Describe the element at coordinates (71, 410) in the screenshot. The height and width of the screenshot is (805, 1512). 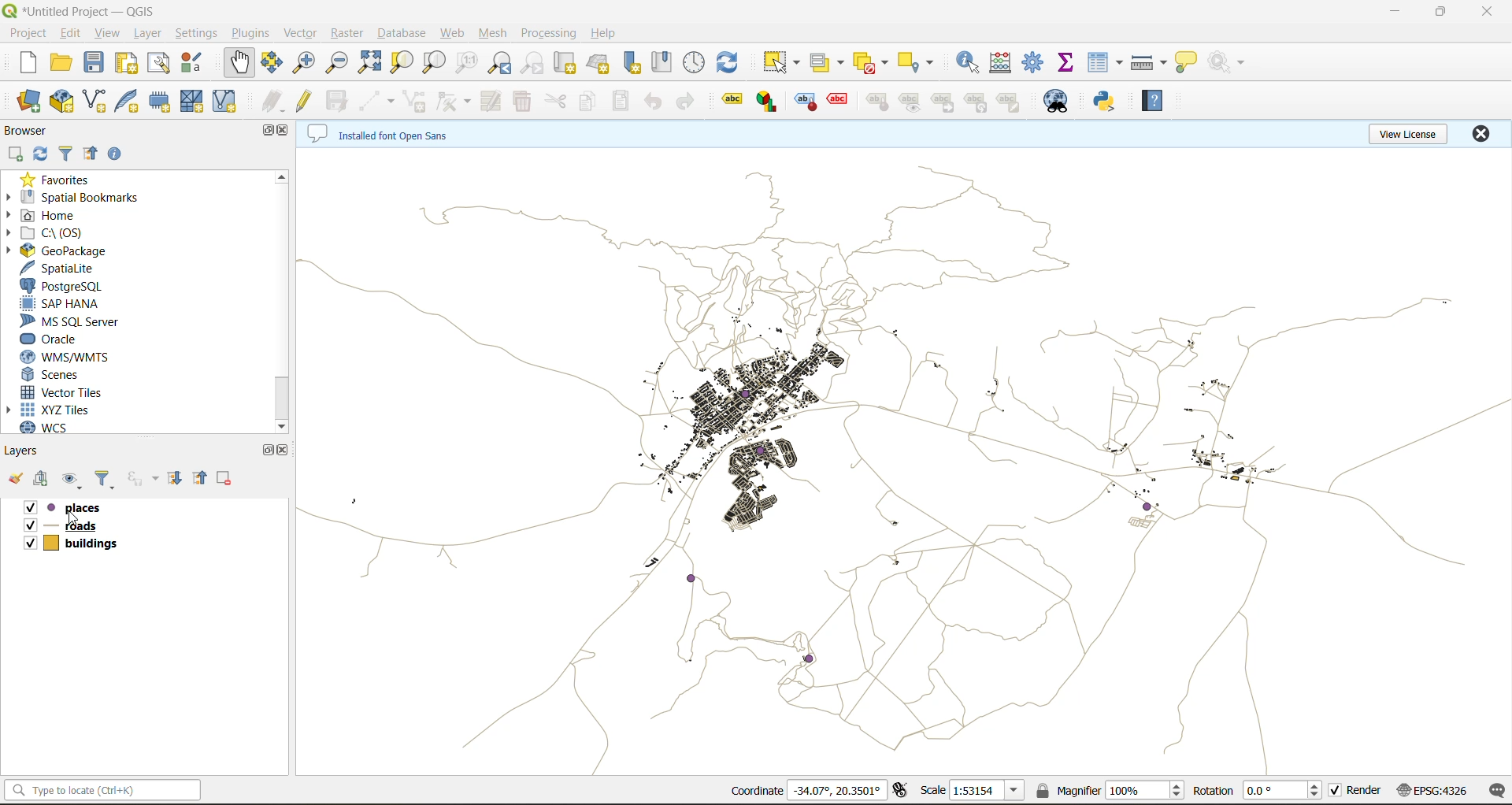
I see `xyz tiles` at that location.